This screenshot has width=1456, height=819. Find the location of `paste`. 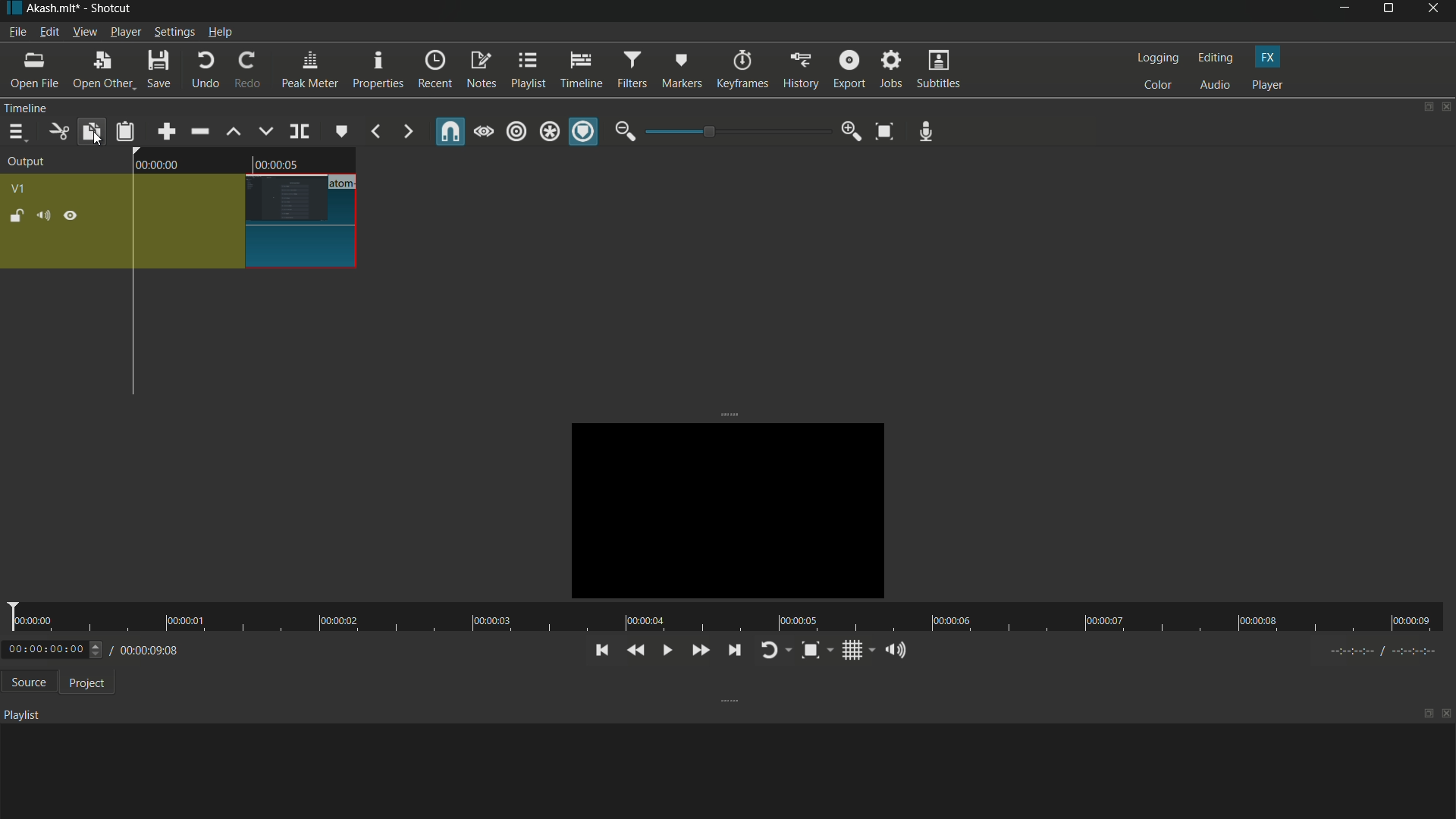

paste is located at coordinates (125, 133).